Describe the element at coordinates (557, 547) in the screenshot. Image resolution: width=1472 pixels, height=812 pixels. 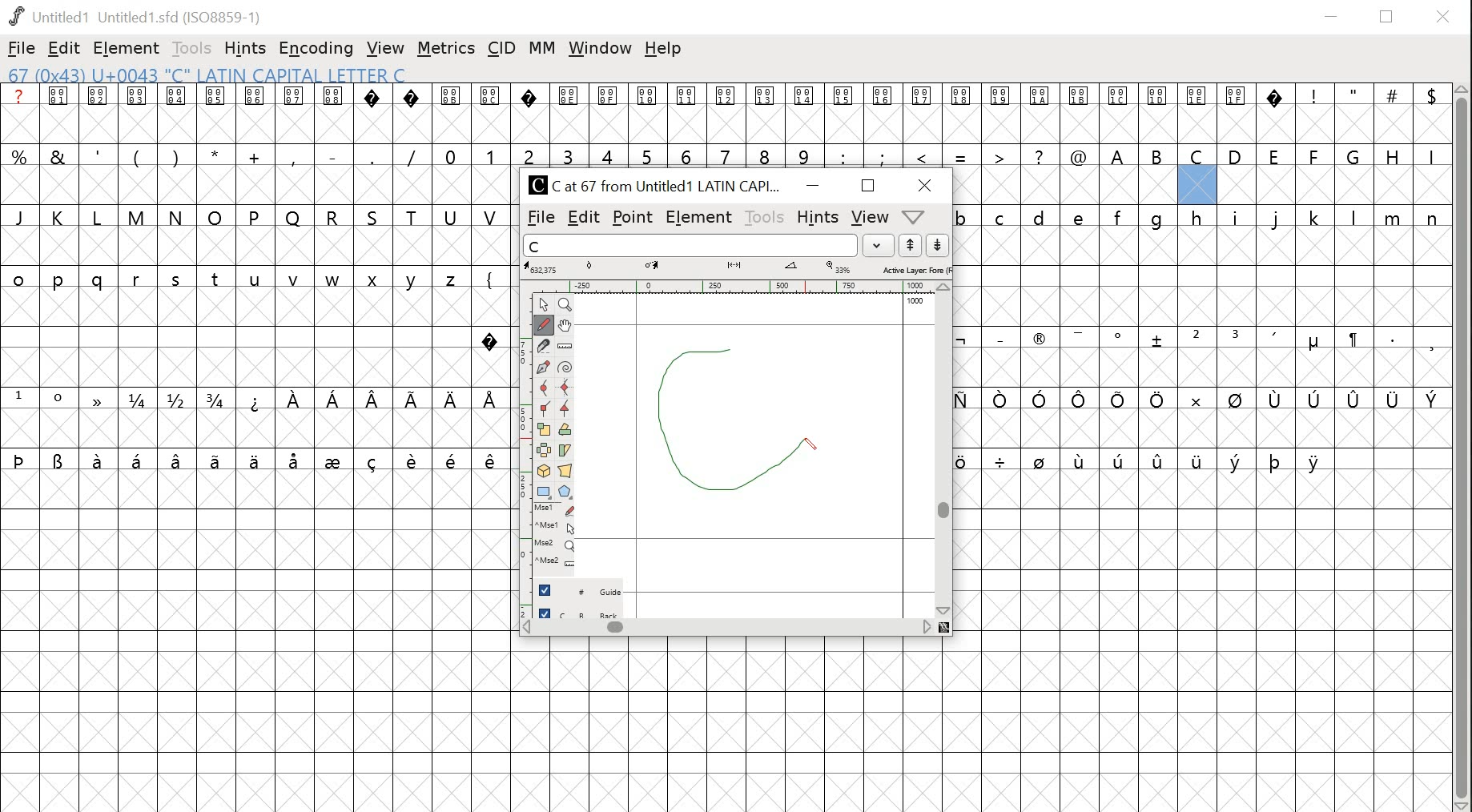
I see `mouse wheel` at that location.